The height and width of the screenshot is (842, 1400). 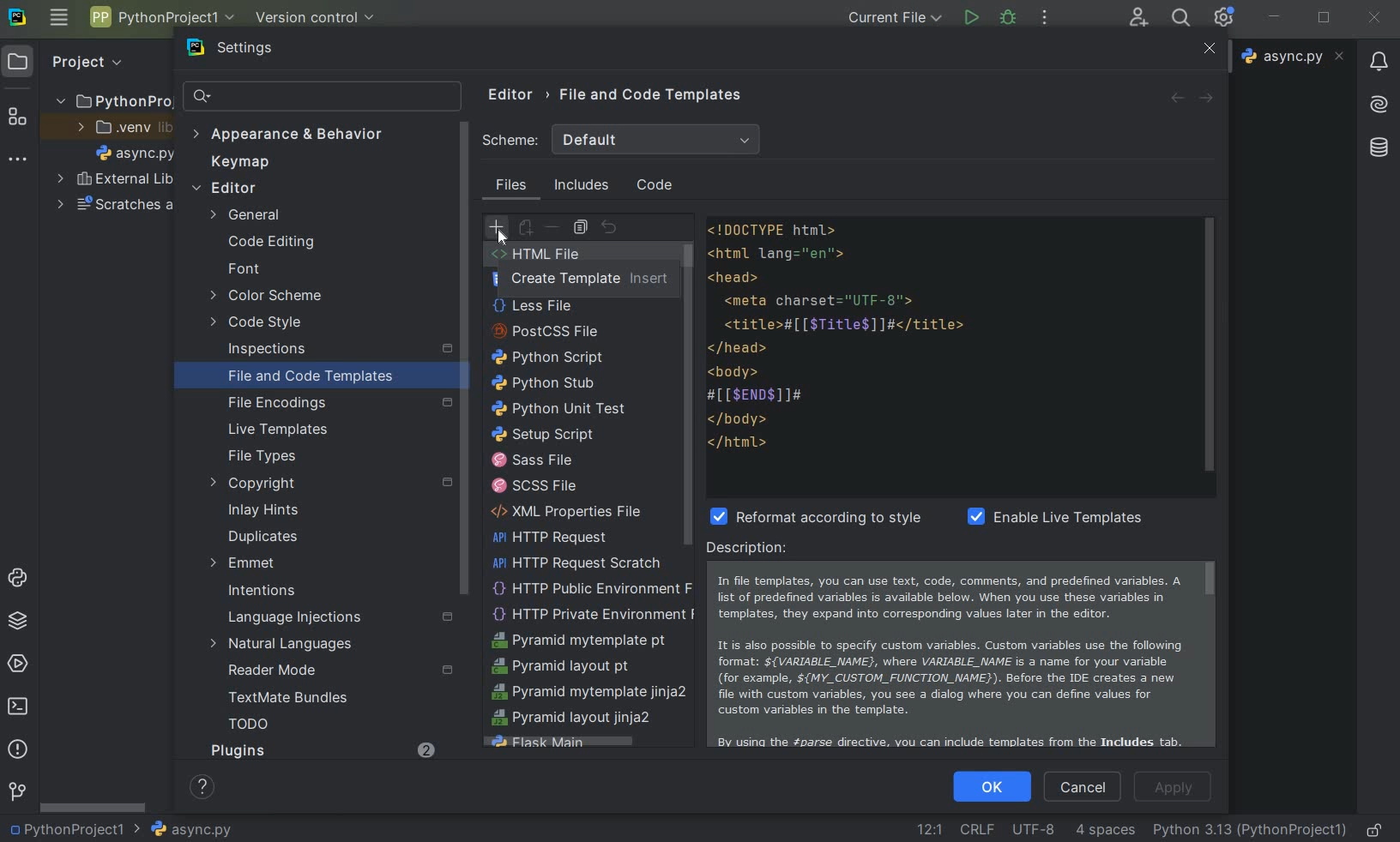 I want to click on appearance & behavior, so click(x=287, y=135).